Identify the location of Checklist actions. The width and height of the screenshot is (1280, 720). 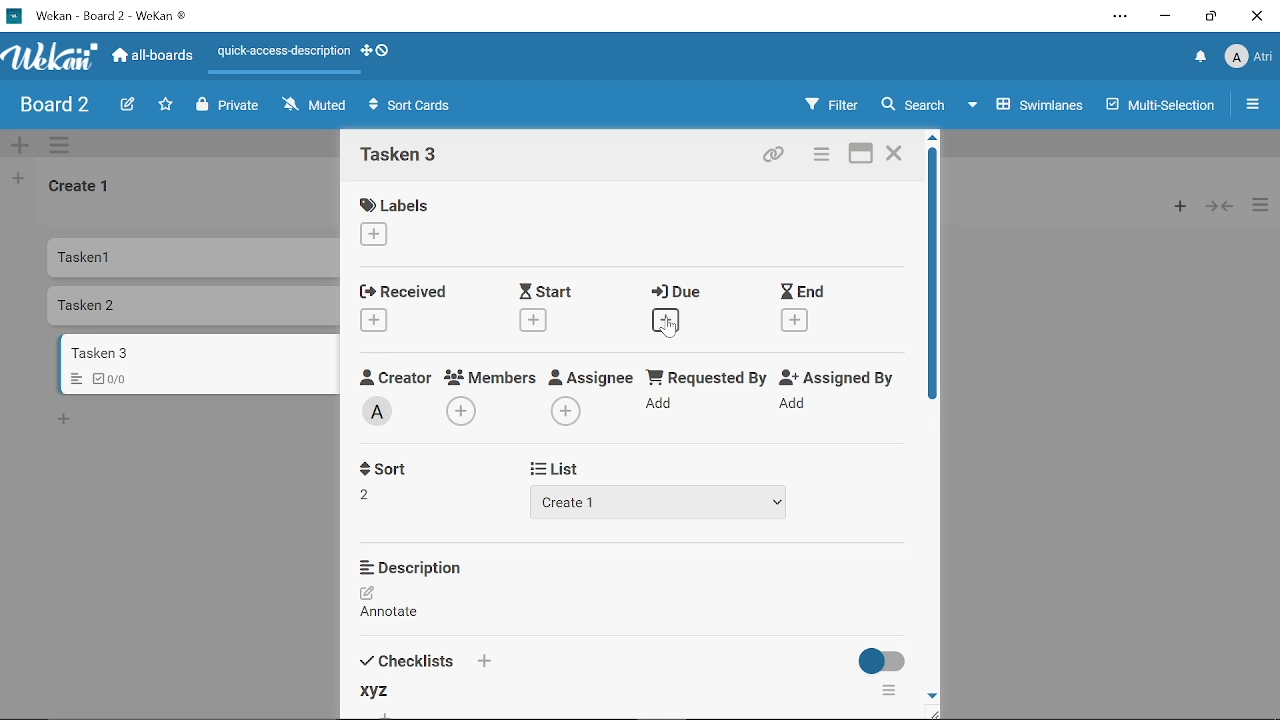
(891, 691).